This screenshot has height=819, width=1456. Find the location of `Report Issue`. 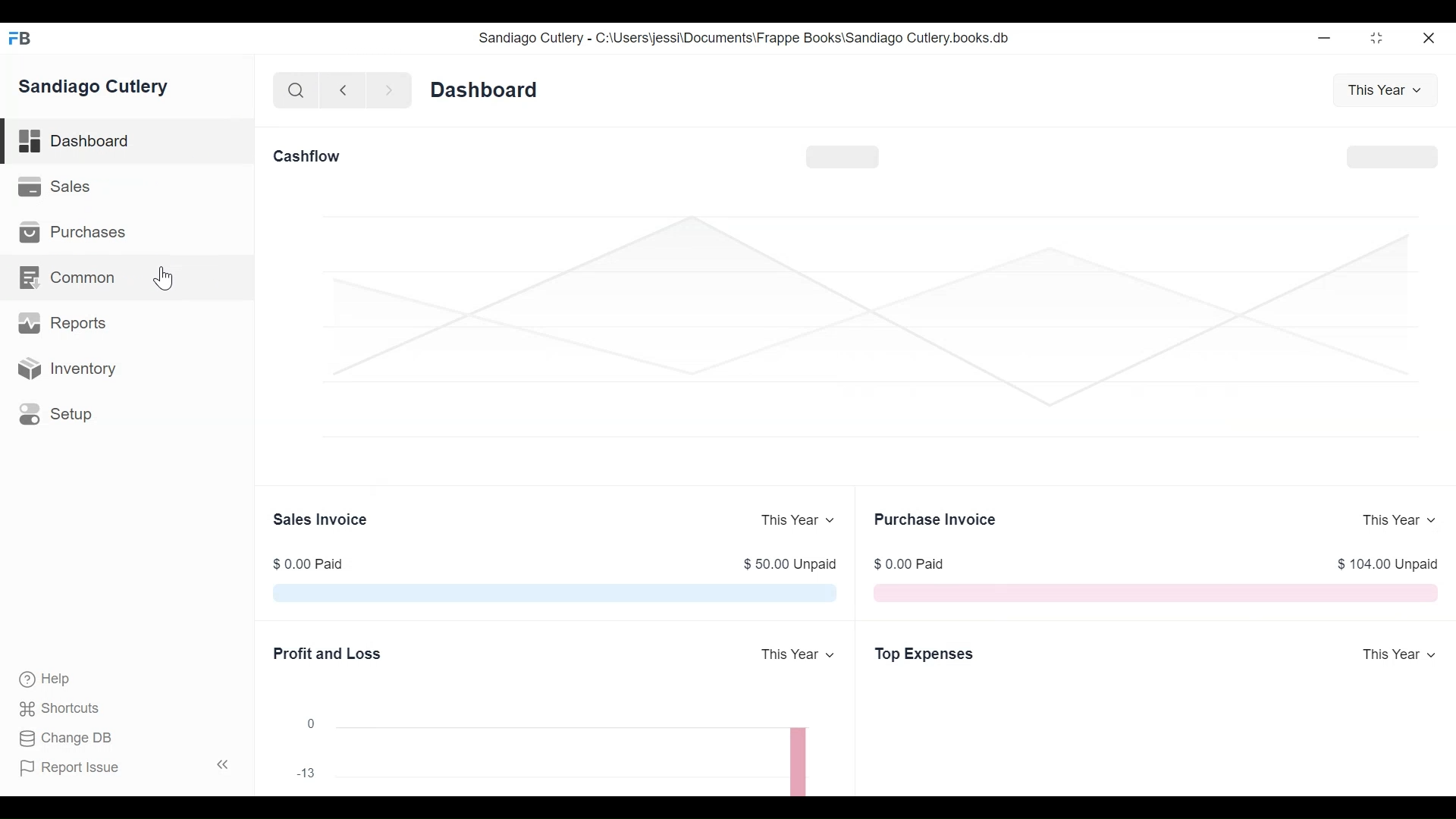

Report Issue is located at coordinates (127, 767).